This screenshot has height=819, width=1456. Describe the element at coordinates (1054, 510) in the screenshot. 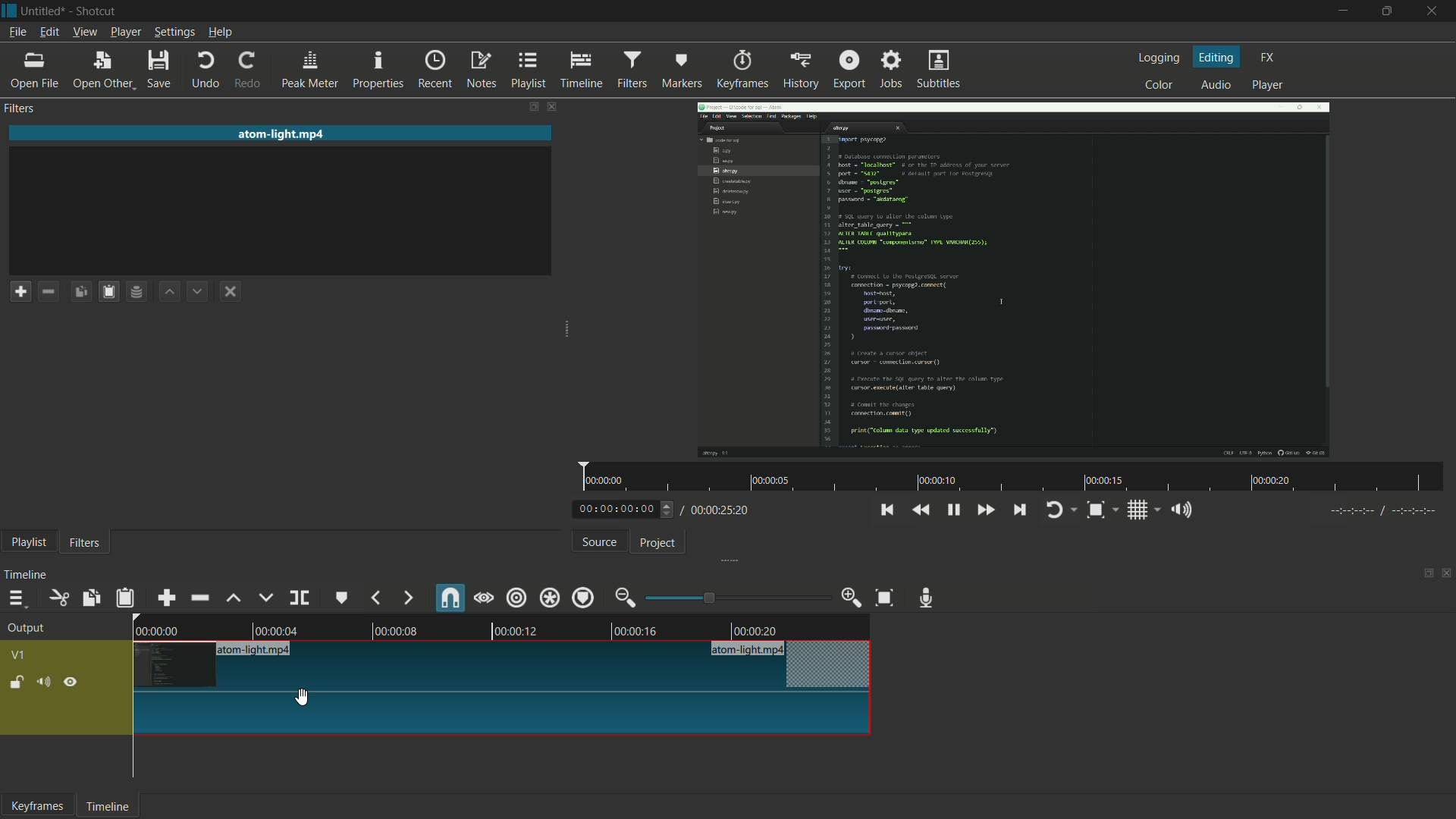

I see `toggle player looping` at that location.